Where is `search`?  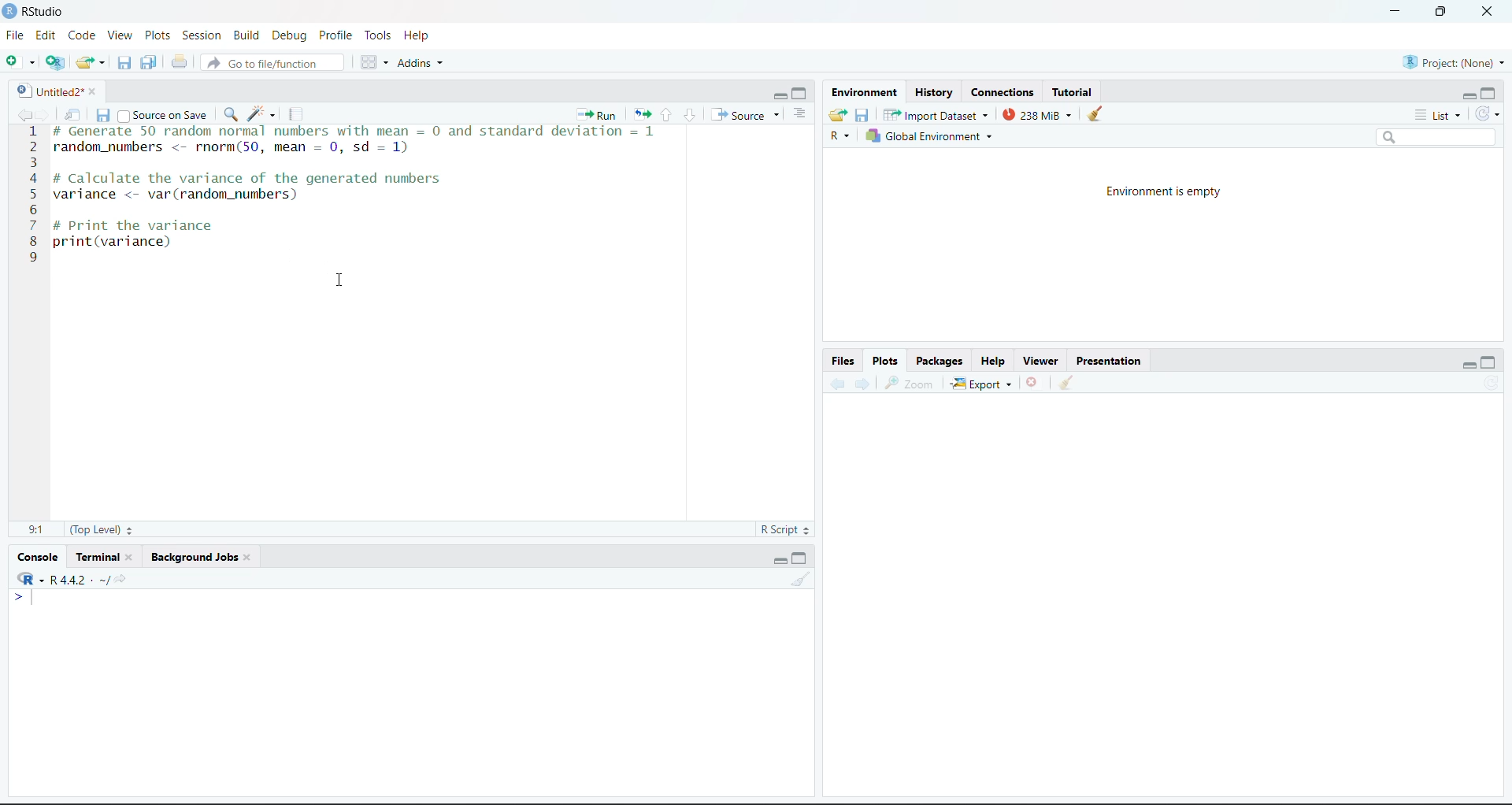 search is located at coordinates (230, 114).